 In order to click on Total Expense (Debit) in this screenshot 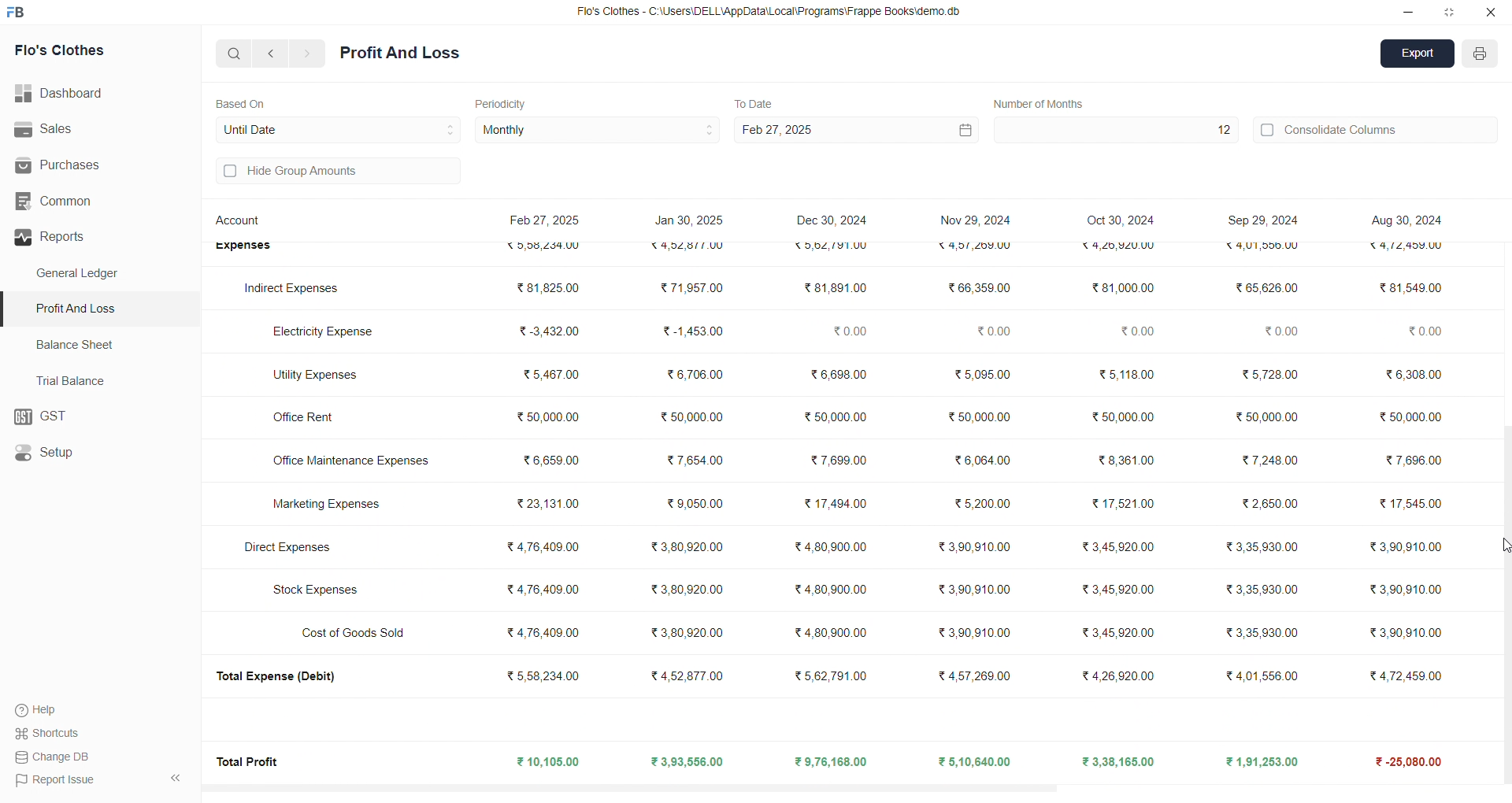, I will do `click(284, 677)`.